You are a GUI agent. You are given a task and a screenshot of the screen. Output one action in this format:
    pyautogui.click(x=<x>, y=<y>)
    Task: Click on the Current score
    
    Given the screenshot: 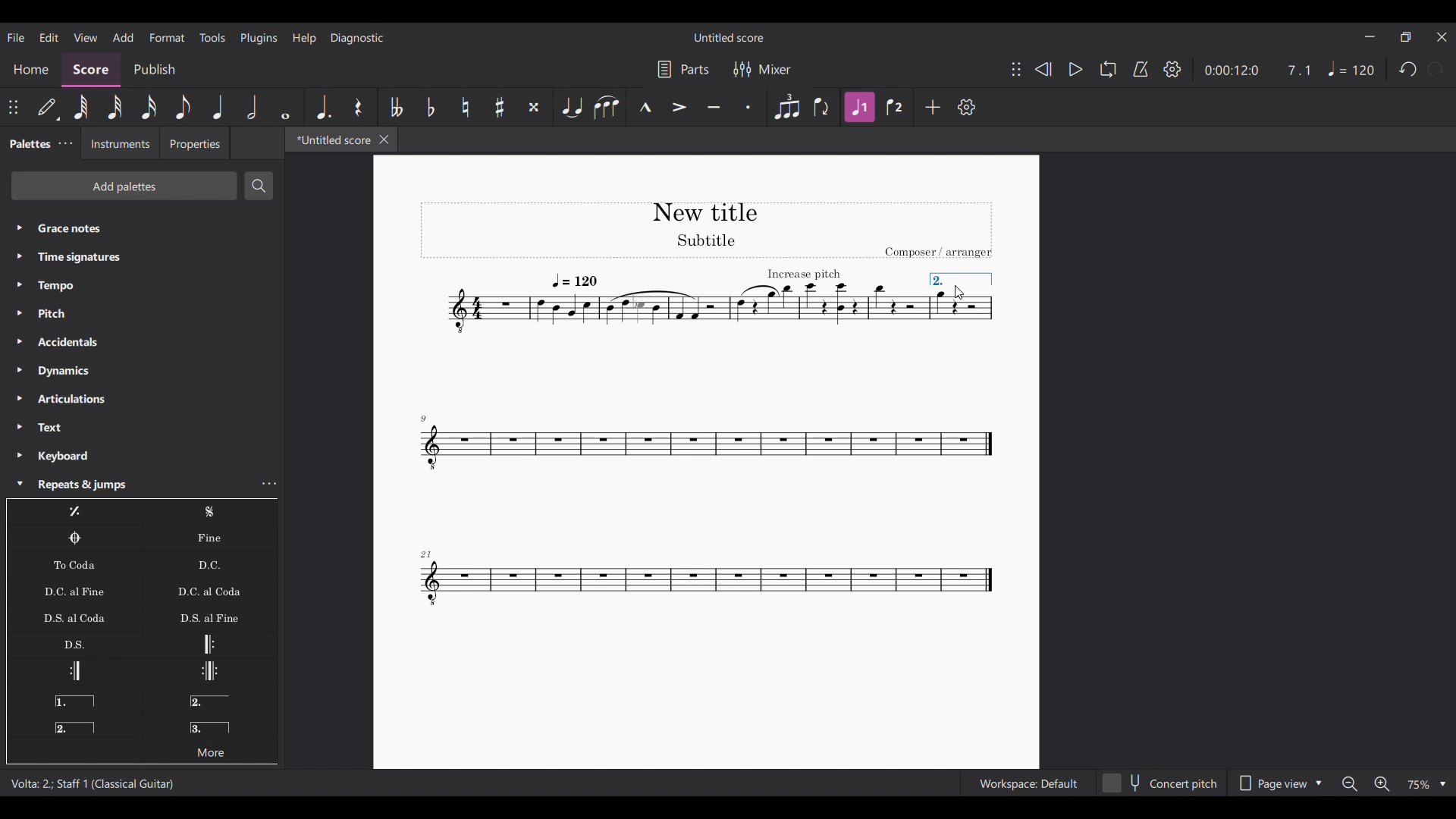 What is the action you would take?
    pyautogui.click(x=670, y=407)
    